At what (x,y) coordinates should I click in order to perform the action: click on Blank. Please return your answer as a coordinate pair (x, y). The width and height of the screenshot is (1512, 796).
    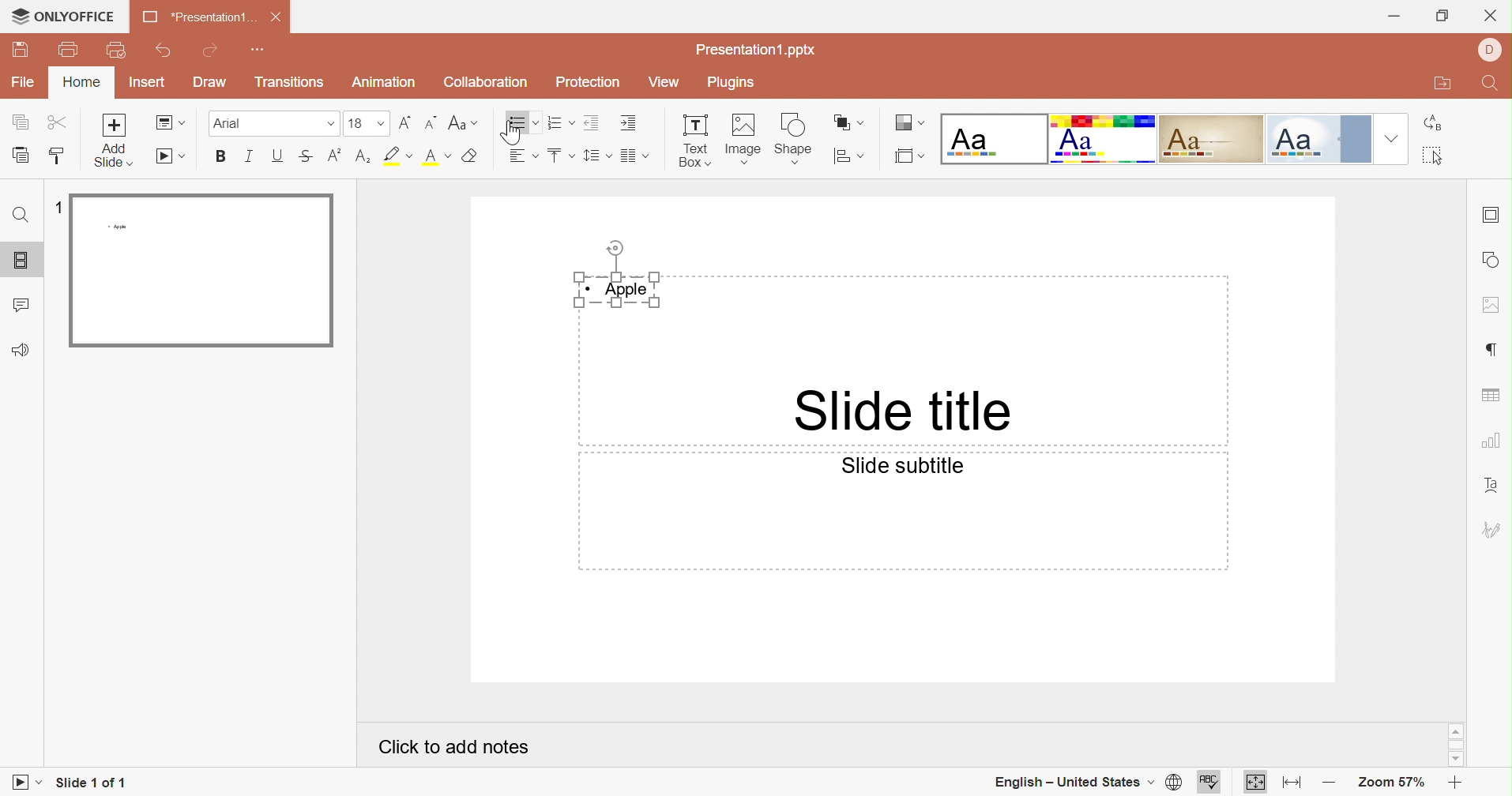
    Looking at the image, I should click on (995, 139).